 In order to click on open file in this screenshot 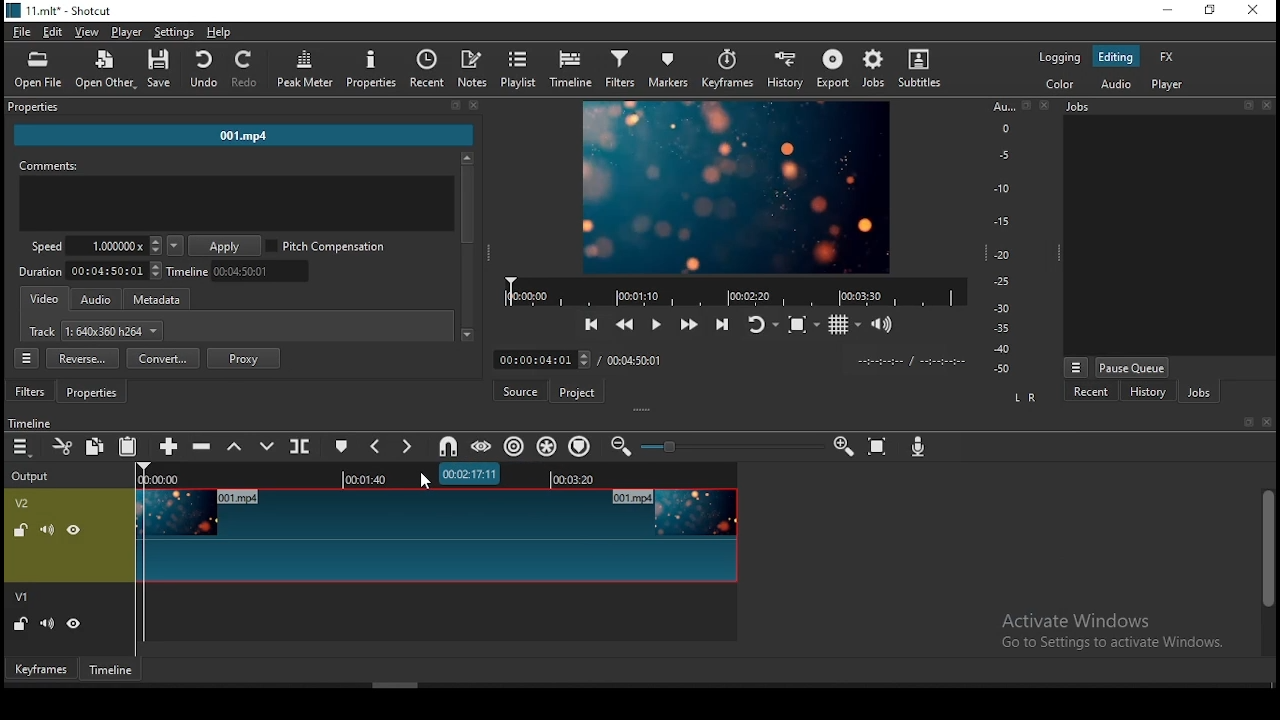, I will do `click(38, 67)`.